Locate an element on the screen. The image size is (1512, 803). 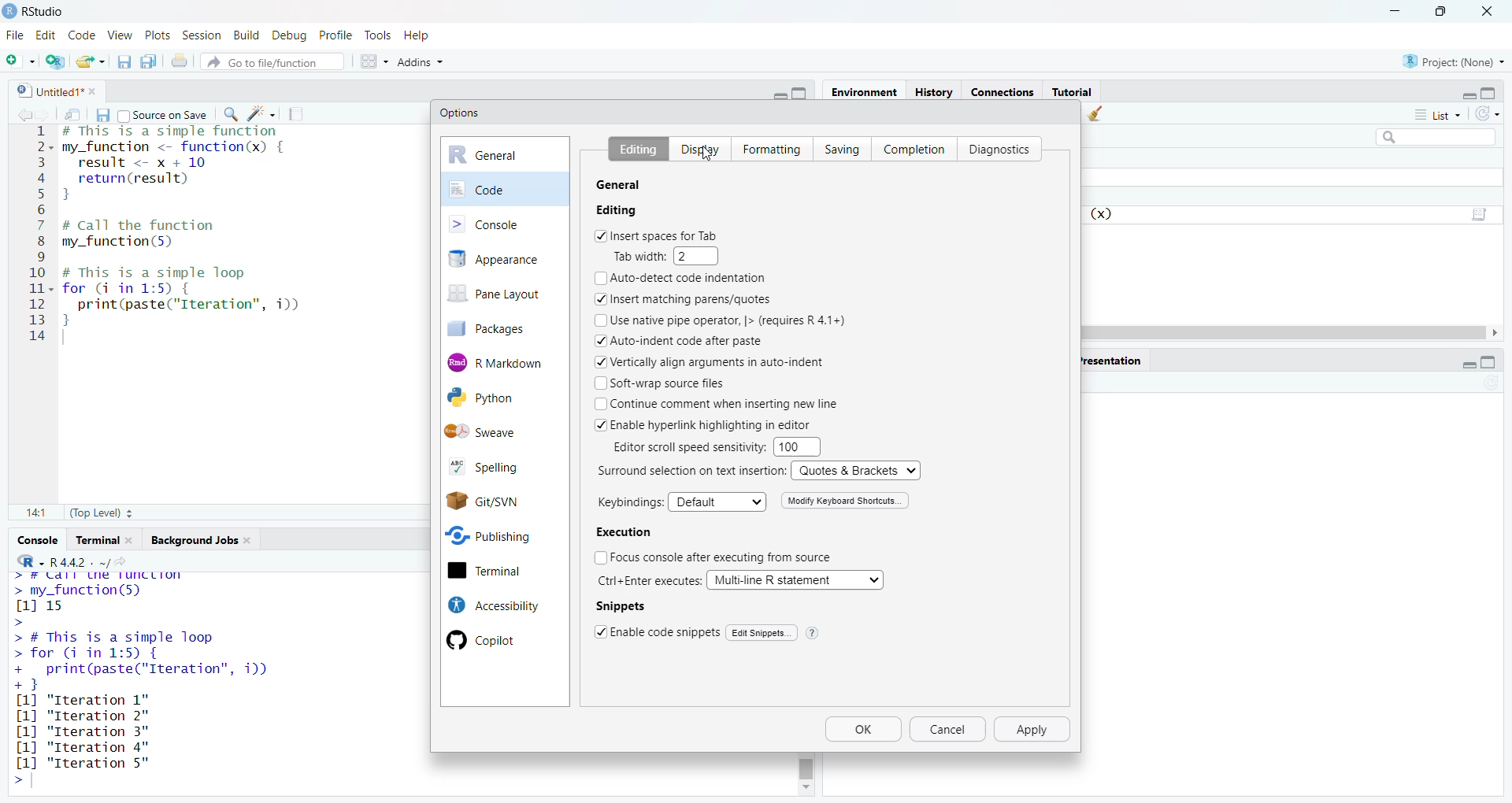
14:1 is located at coordinates (35, 514).